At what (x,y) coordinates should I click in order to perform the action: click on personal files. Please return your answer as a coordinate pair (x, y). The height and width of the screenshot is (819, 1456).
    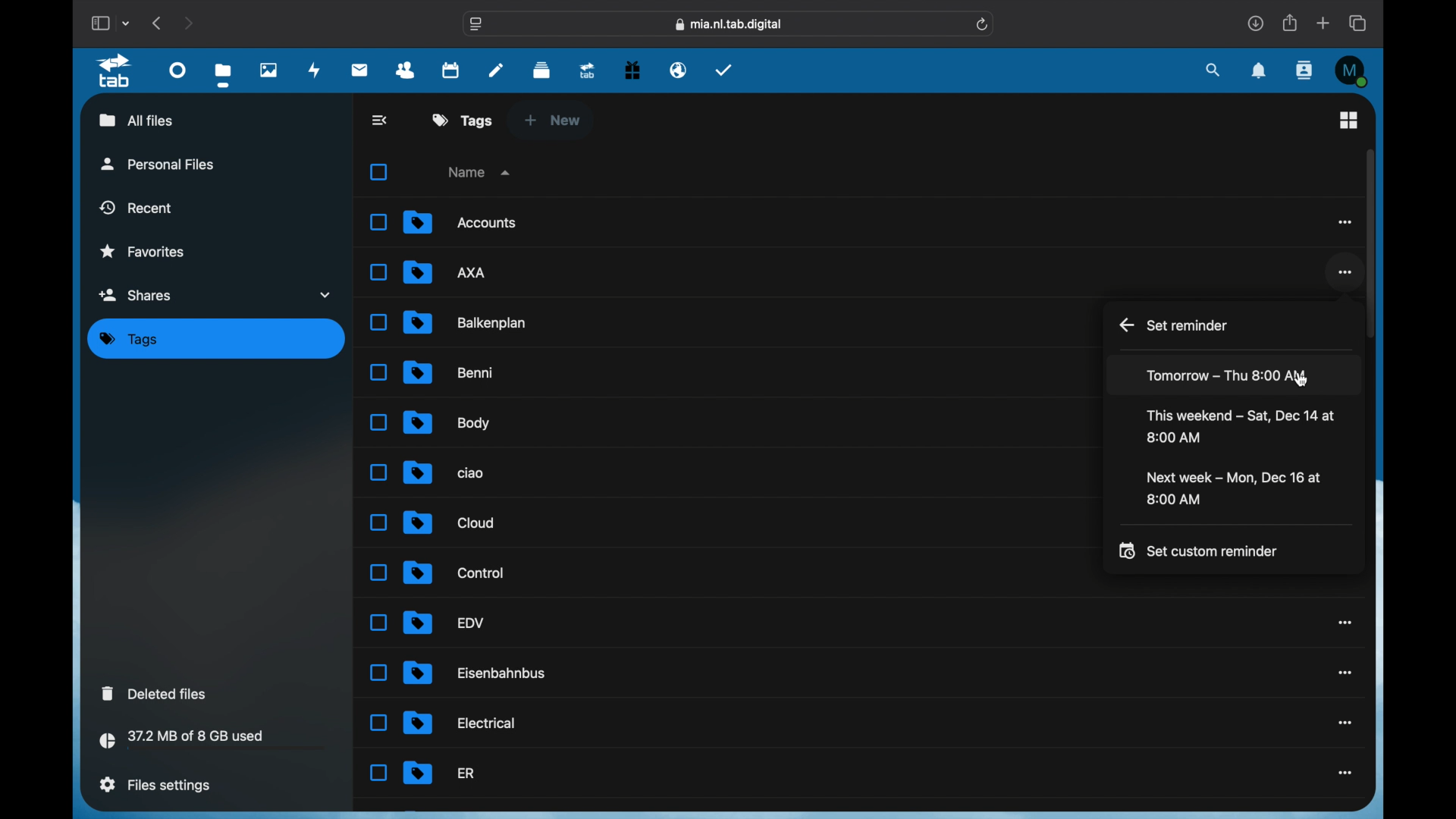
    Looking at the image, I should click on (158, 163).